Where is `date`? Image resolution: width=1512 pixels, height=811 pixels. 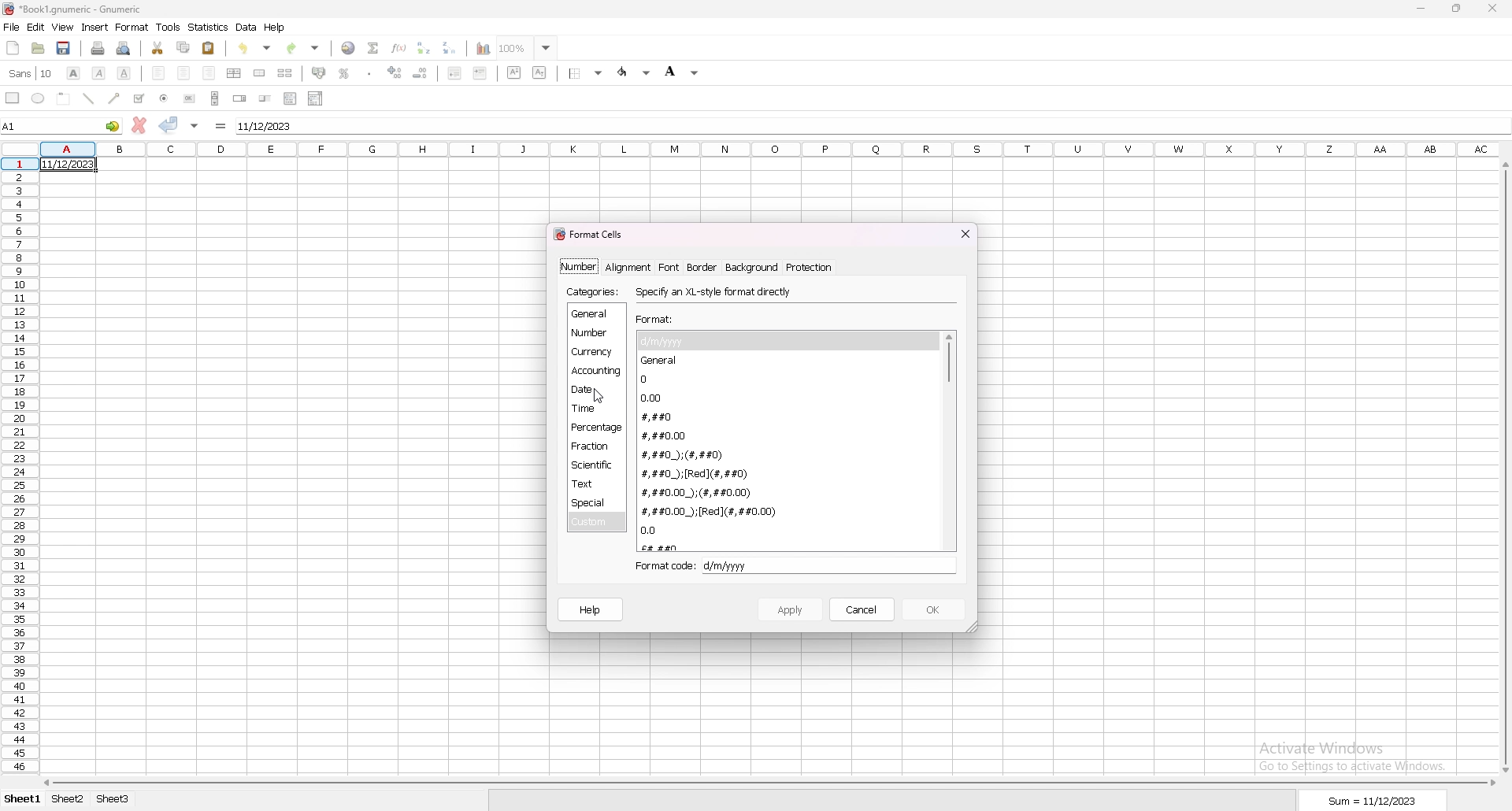
date is located at coordinates (594, 390).